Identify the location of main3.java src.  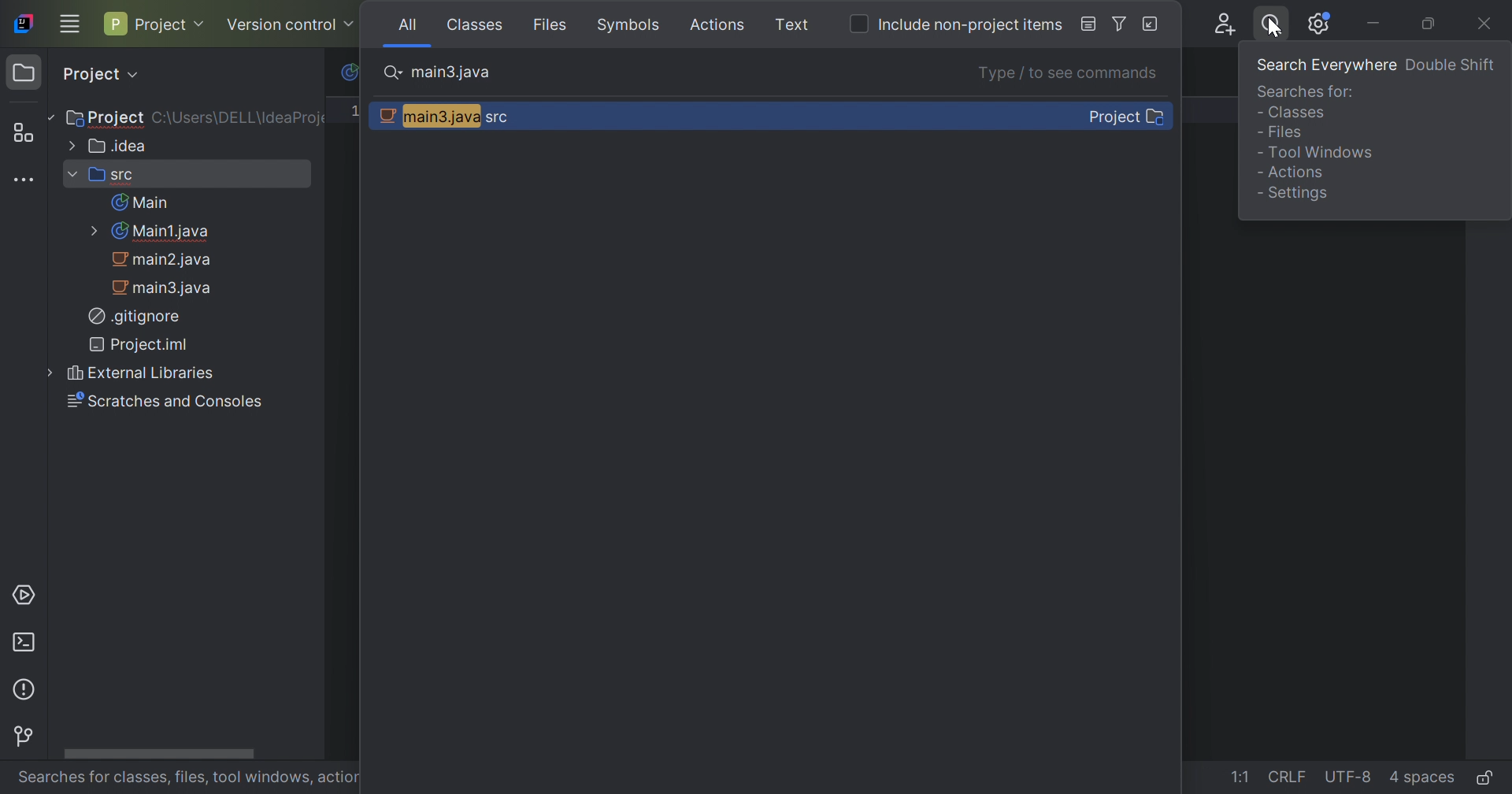
(447, 117).